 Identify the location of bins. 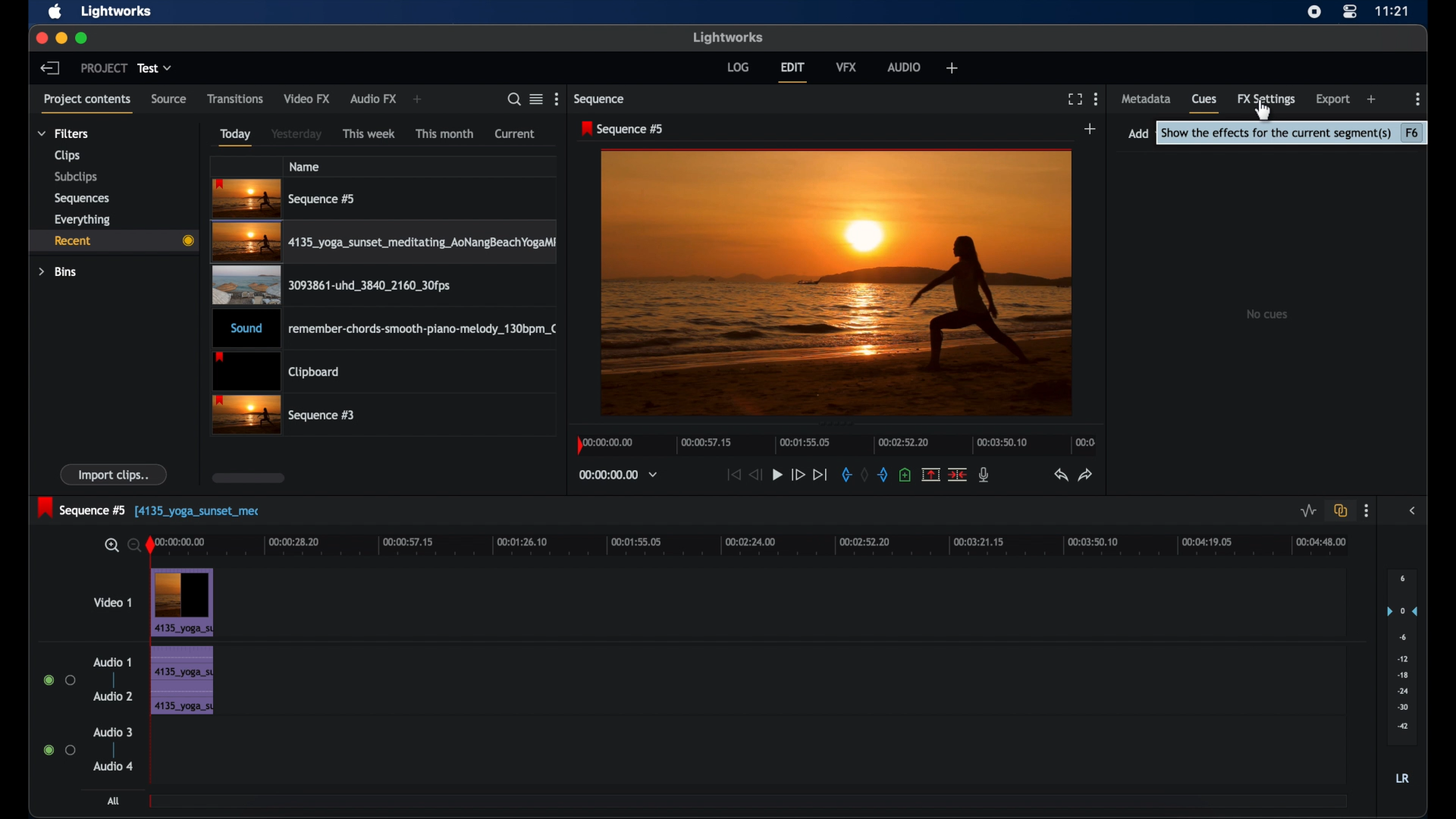
(58, 272).